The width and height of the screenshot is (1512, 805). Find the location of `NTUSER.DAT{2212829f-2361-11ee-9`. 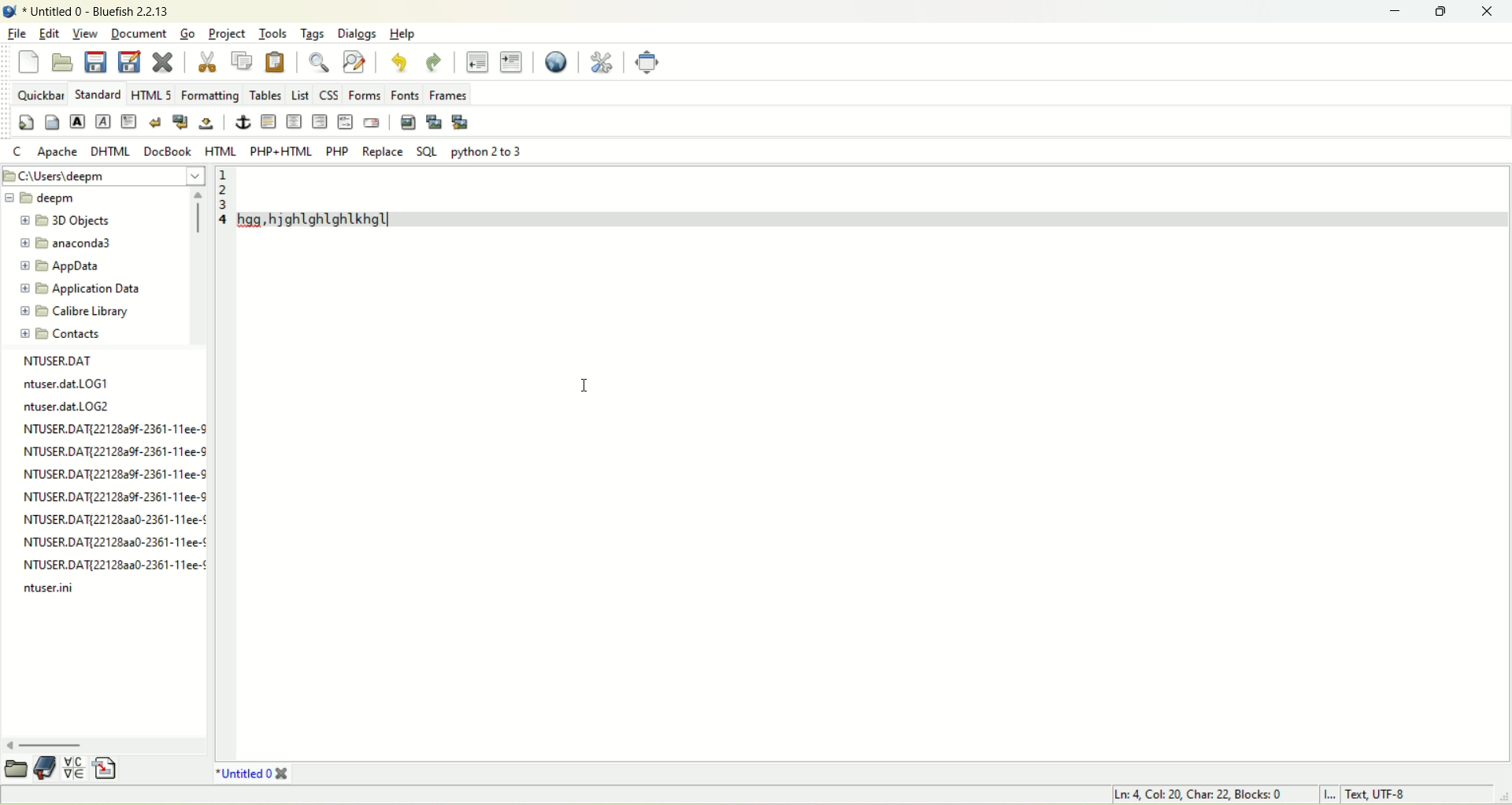

NTUSER.DAT{2212829f-2361-11ee-9 is located at coordinates (114, 451).